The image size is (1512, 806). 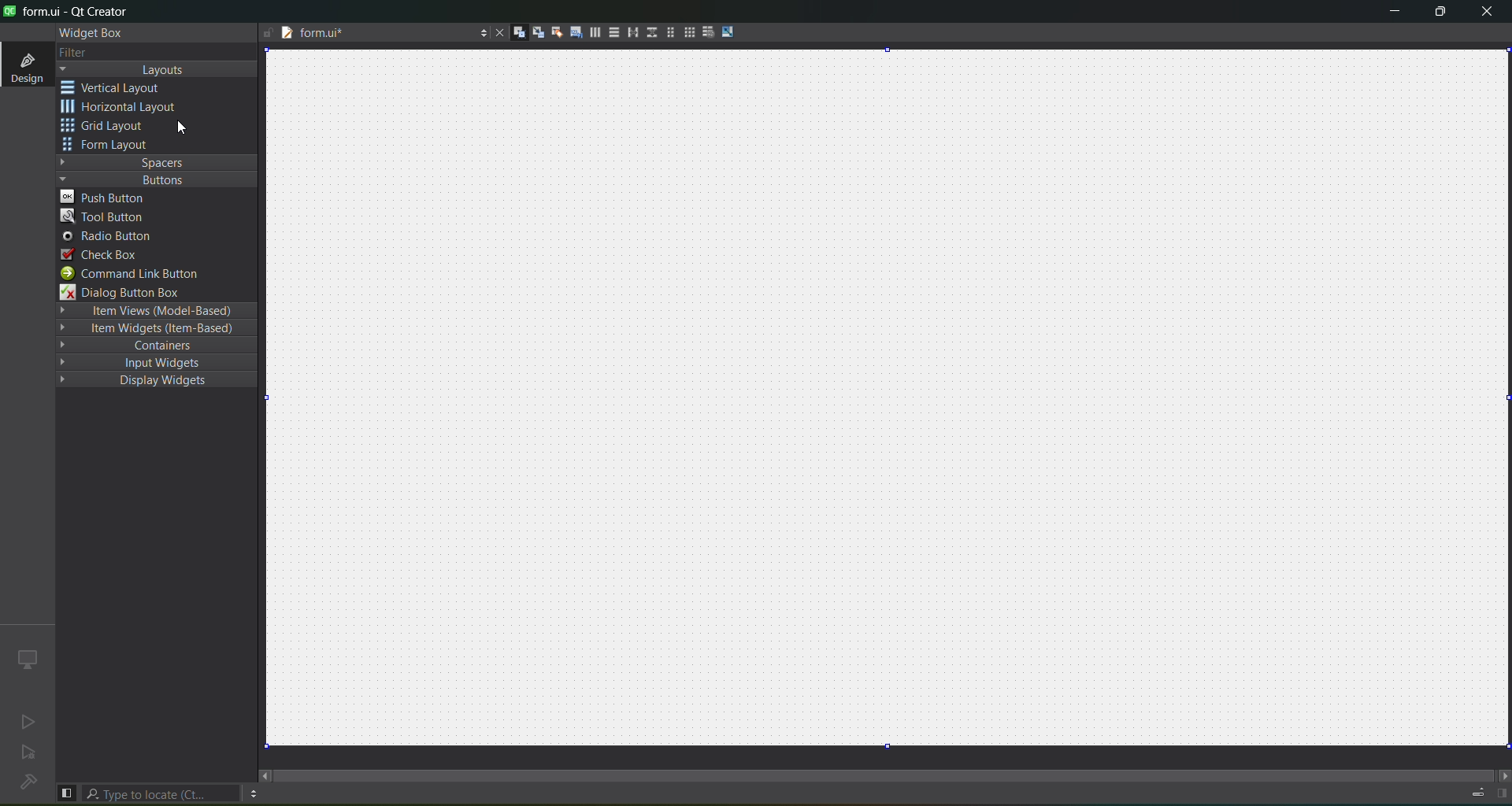 I want to click on display widgets, so click(x=145, y=381).